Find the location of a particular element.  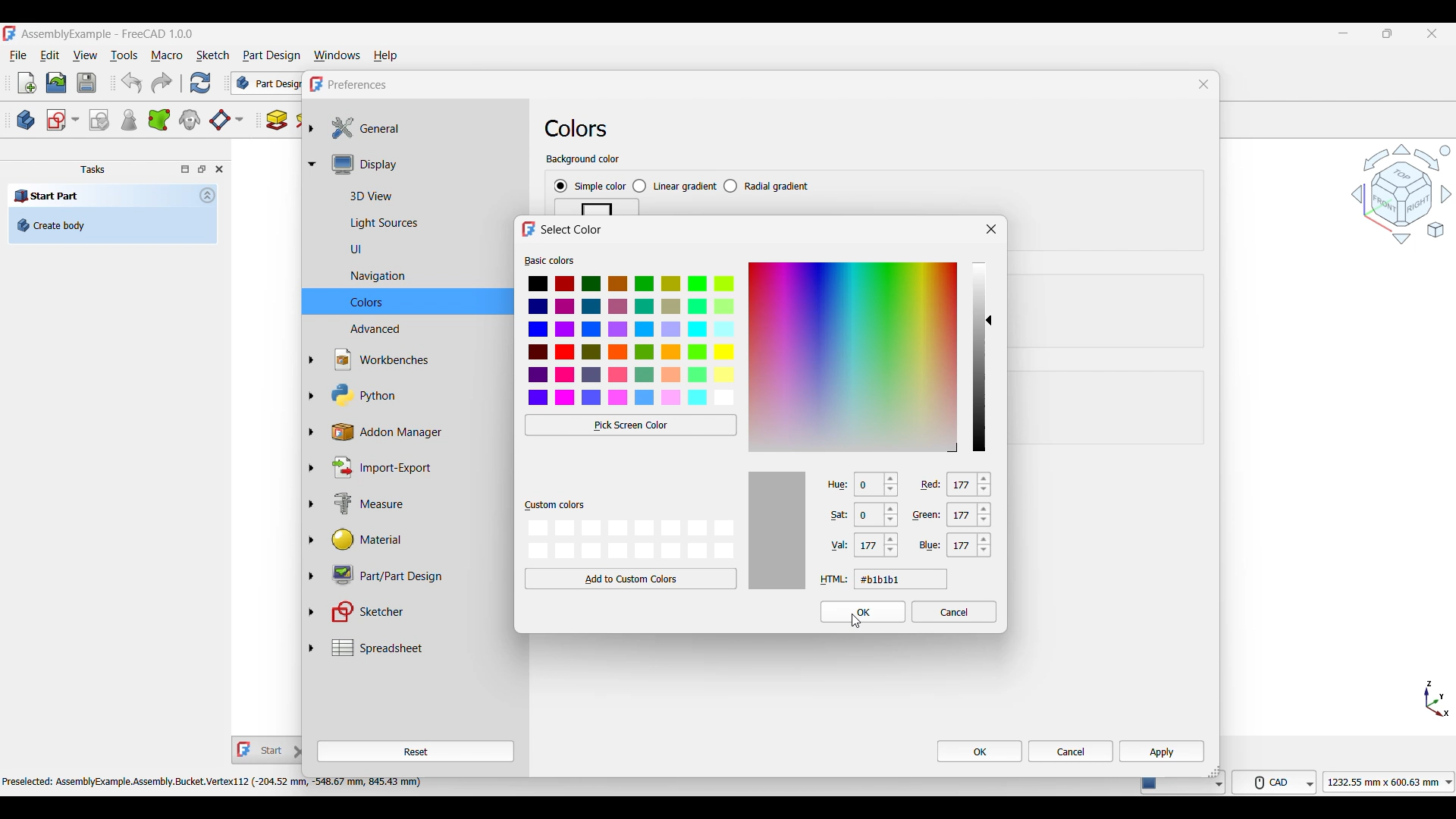

Refresh is located at coordinates (199, 83).